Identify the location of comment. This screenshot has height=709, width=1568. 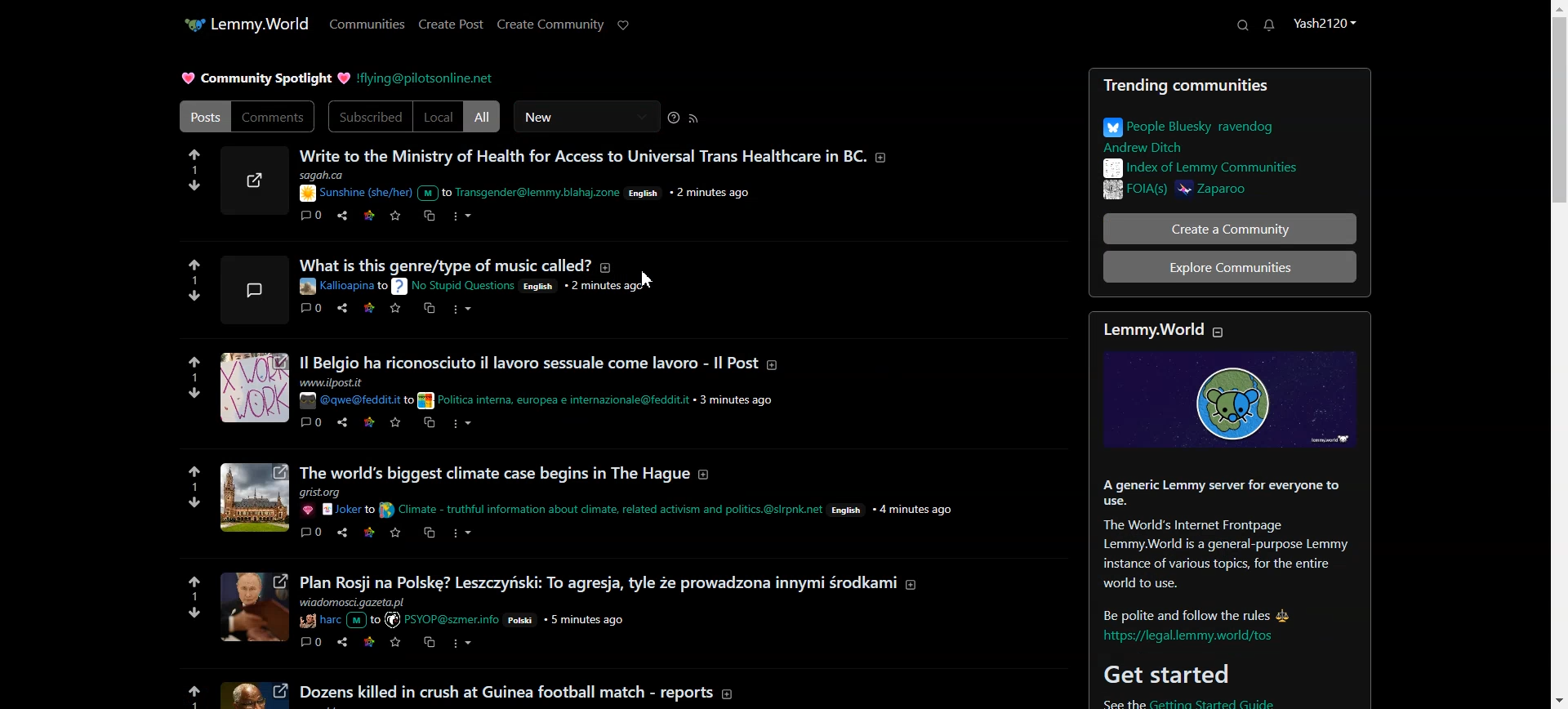
(314, 538).